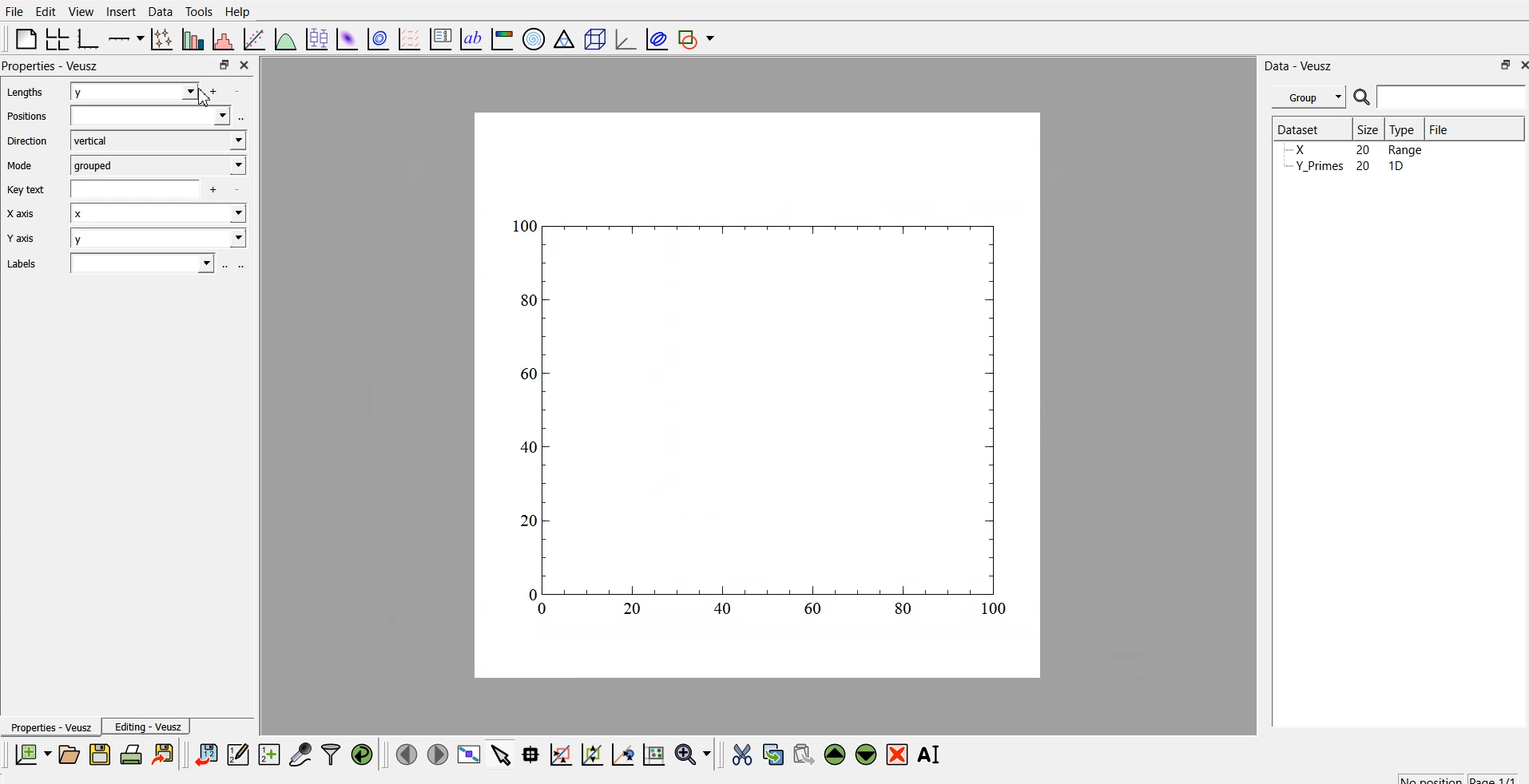  I want to click on draw ponts, so click(591, 754).